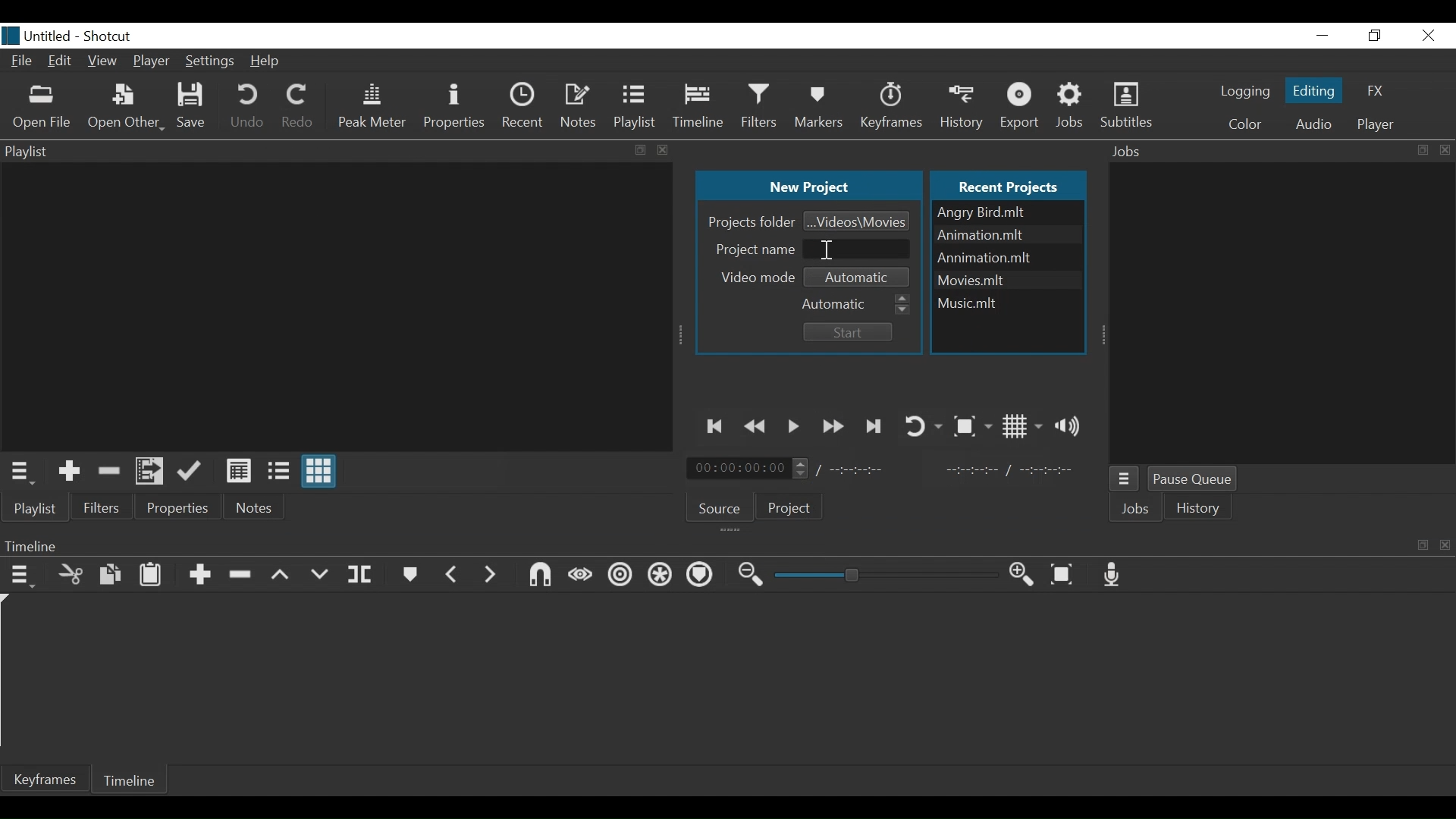 The width and height of the screenshot is (1456, 819). Describe the element at coordinates (717, 426) in the screenshot. I see `Skip to the previous point` at that location.